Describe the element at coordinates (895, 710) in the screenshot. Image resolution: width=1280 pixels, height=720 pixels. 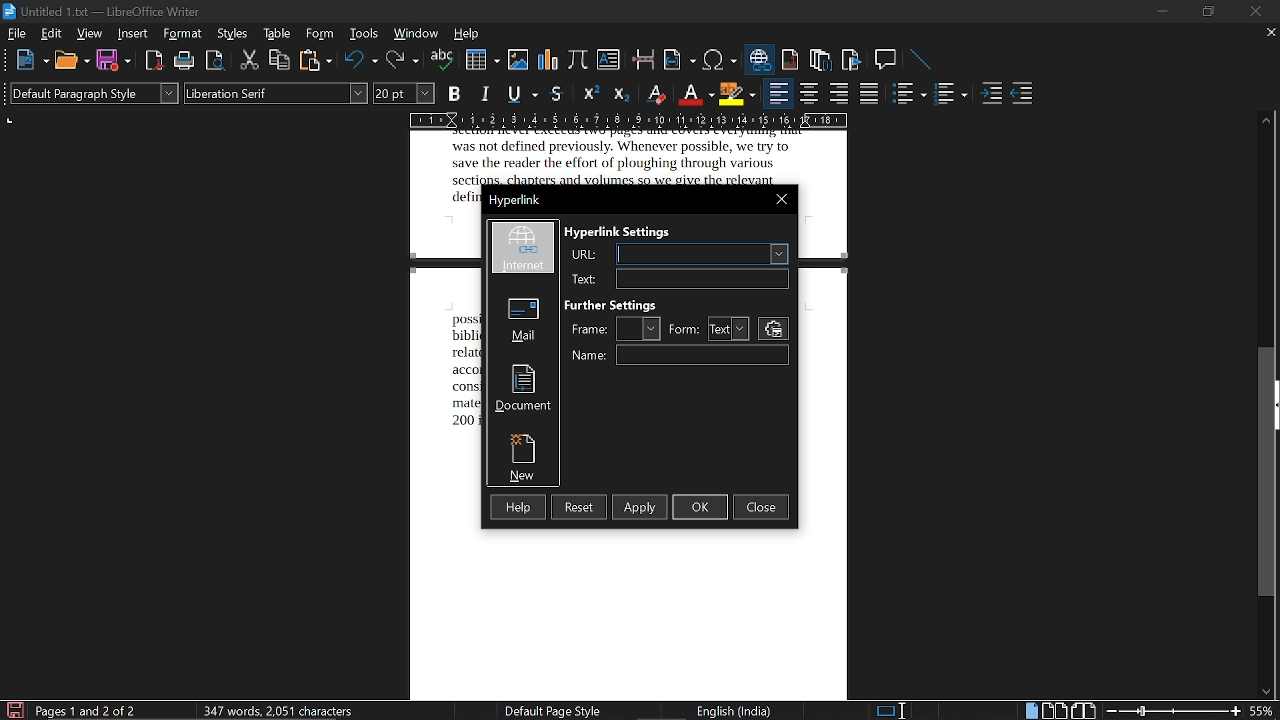
I see `standard selection` at that location.